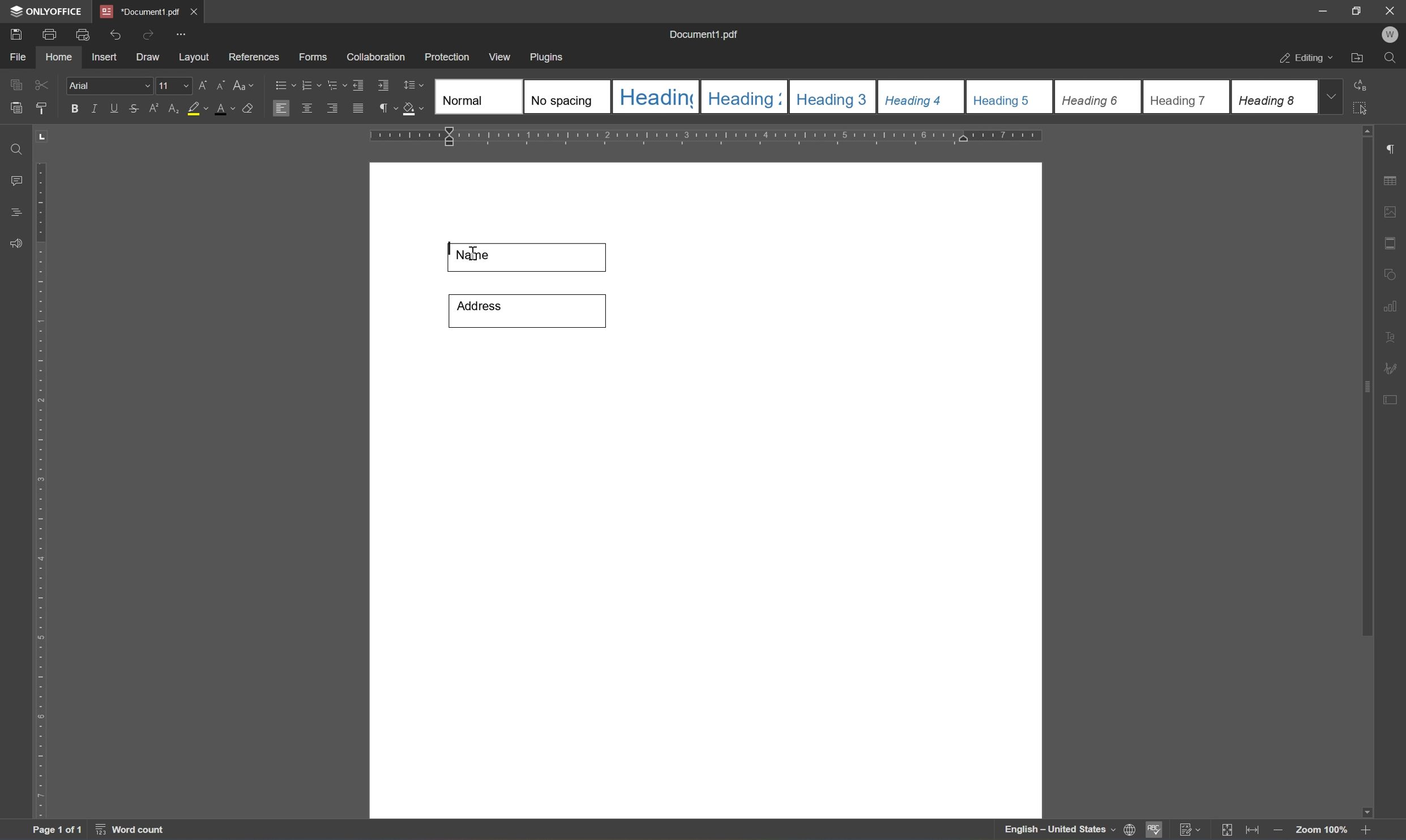  What do you see at coordinates (196, 9) in the screenshot?
I see `close` at bounding box center [196, 9].